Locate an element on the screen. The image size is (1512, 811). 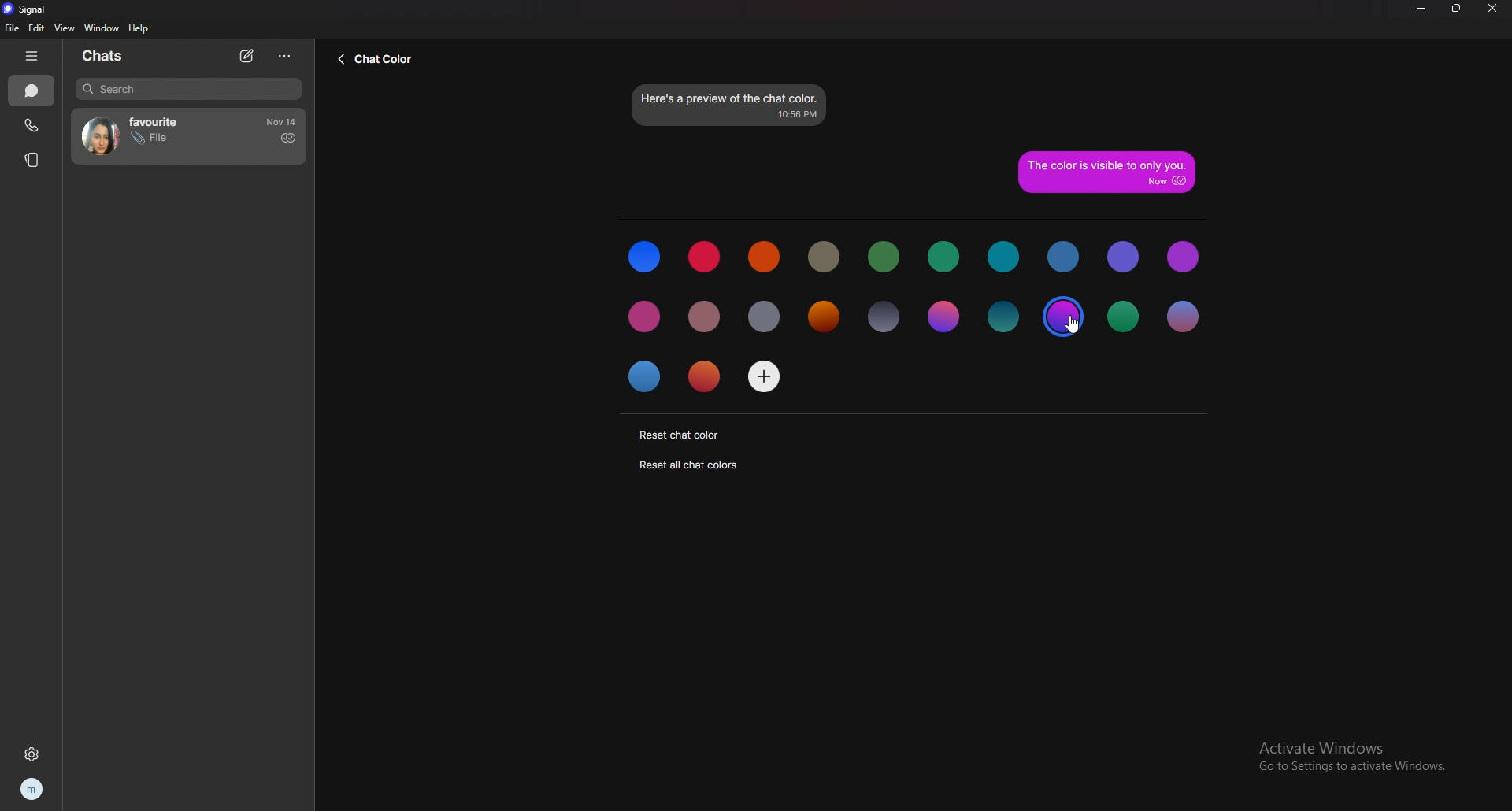
calls is located at coordinates (31, 126).